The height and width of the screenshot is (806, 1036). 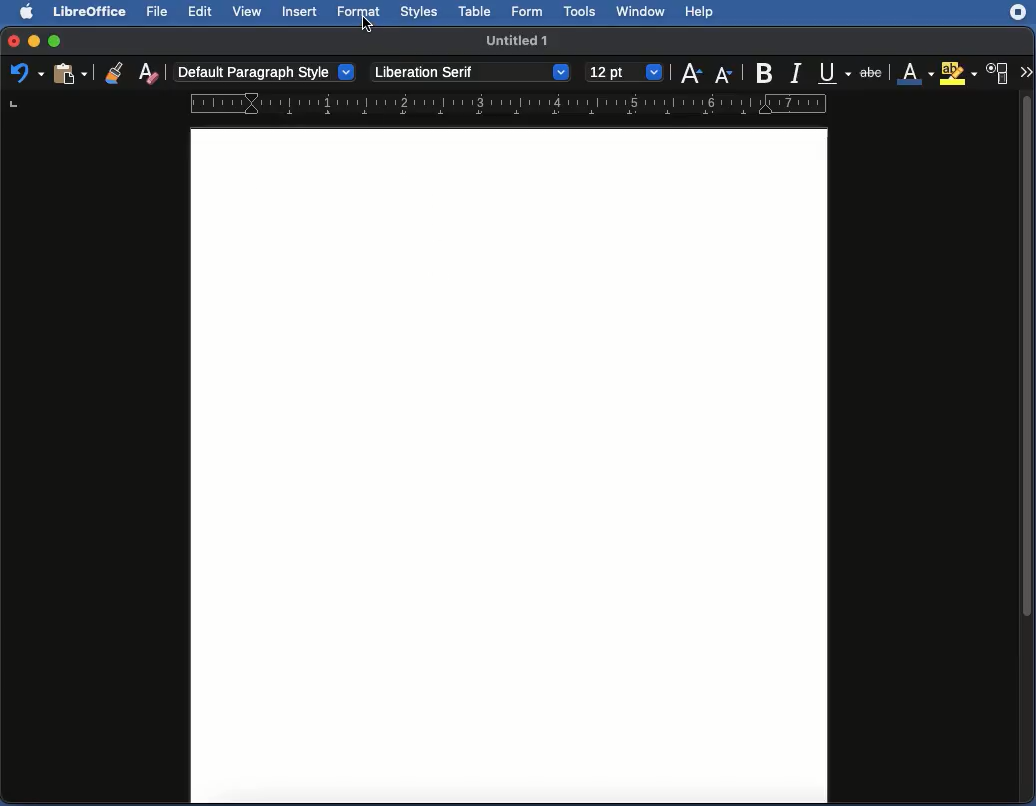 What do you see at coordinates (161, 13) in the screenshot?
I see `File` at bounding box center [161, 13].